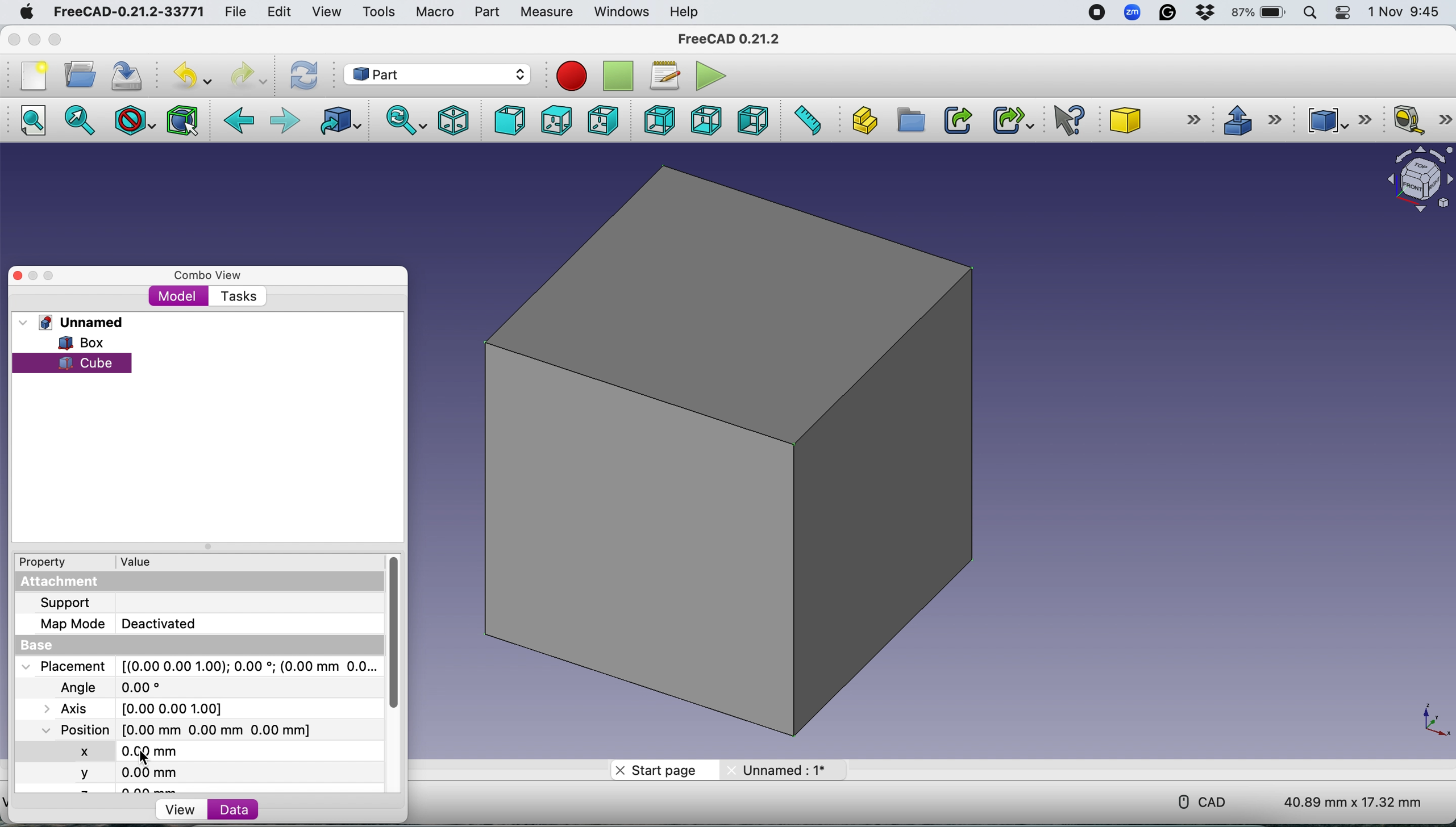 The height and width of the screenshot is (827, 1456). I want to click on View, so click(177, 809).